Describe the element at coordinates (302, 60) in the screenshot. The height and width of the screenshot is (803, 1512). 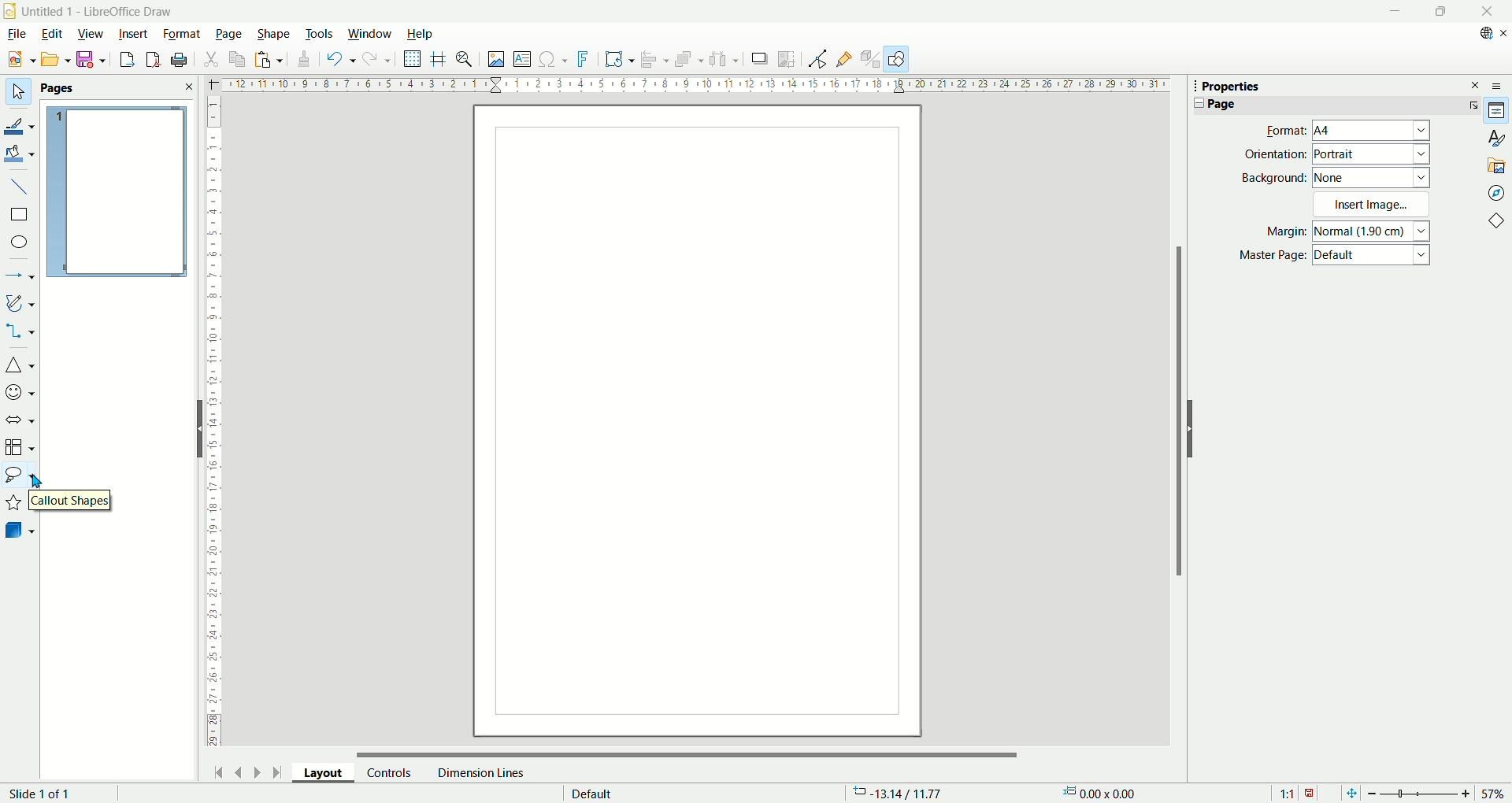
I see `clone formatting` at that location.